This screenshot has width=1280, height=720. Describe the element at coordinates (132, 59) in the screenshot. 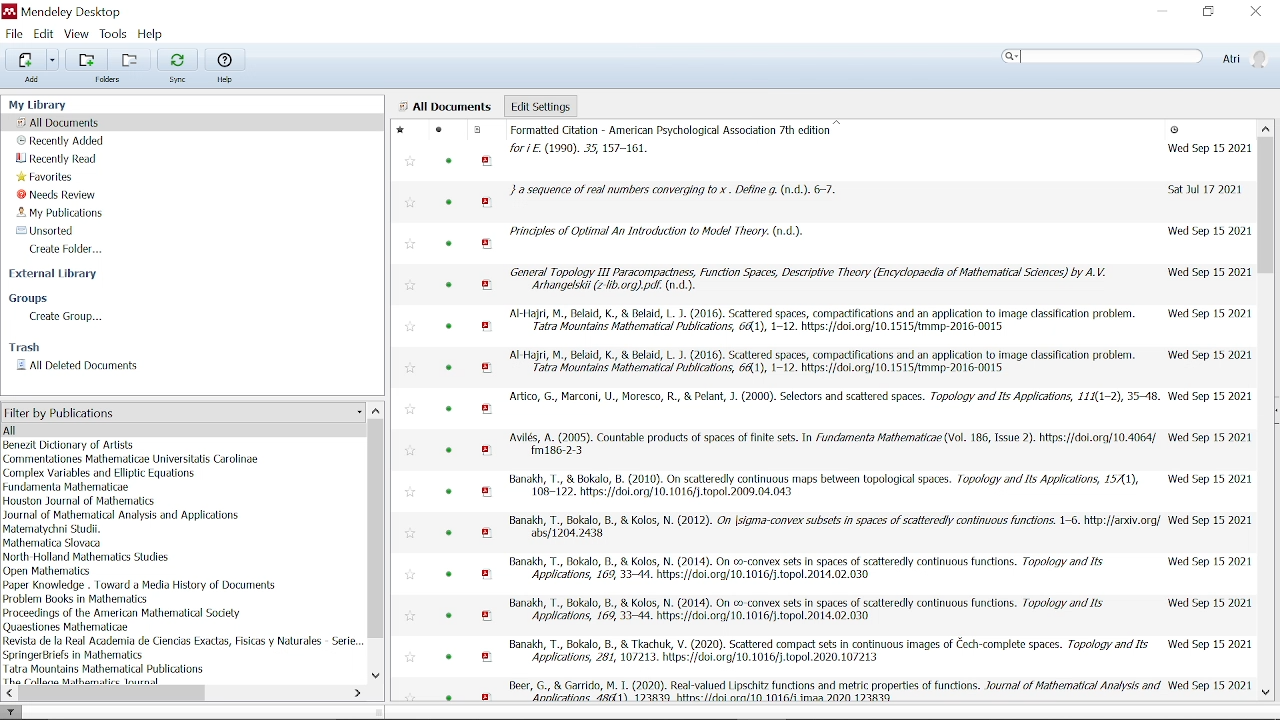

I see `Add folder` at that location.